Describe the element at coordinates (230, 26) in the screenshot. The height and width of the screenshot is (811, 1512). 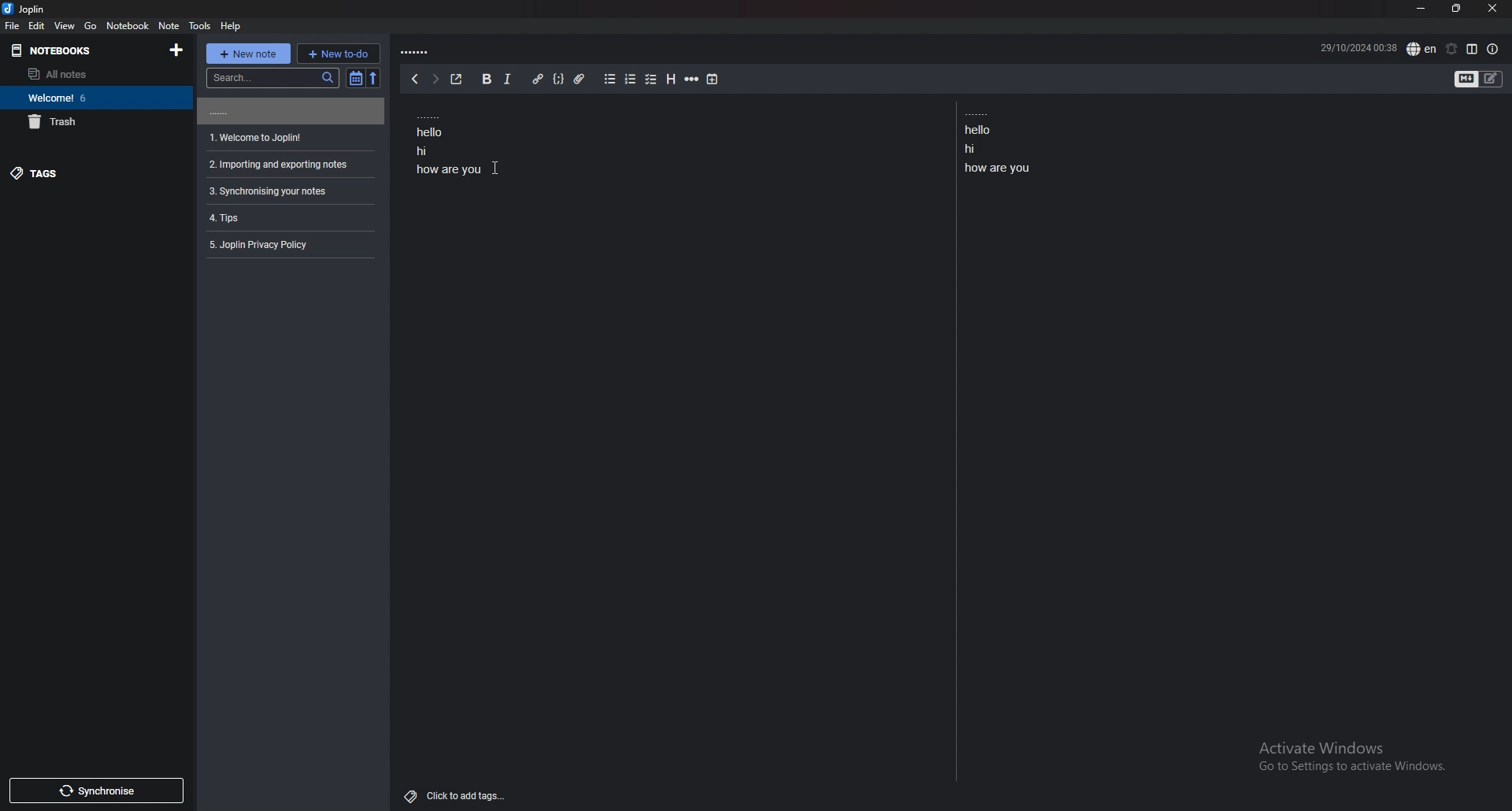
I see `help` at that location.